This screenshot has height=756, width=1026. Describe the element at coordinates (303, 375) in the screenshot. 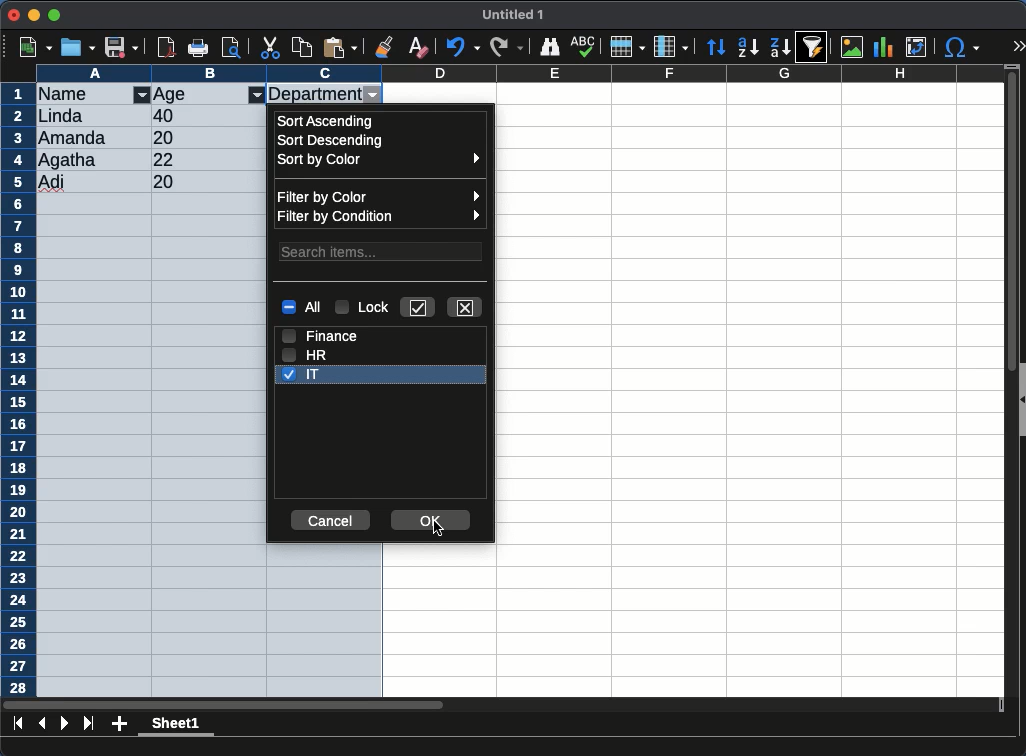

I see `it` at that location.